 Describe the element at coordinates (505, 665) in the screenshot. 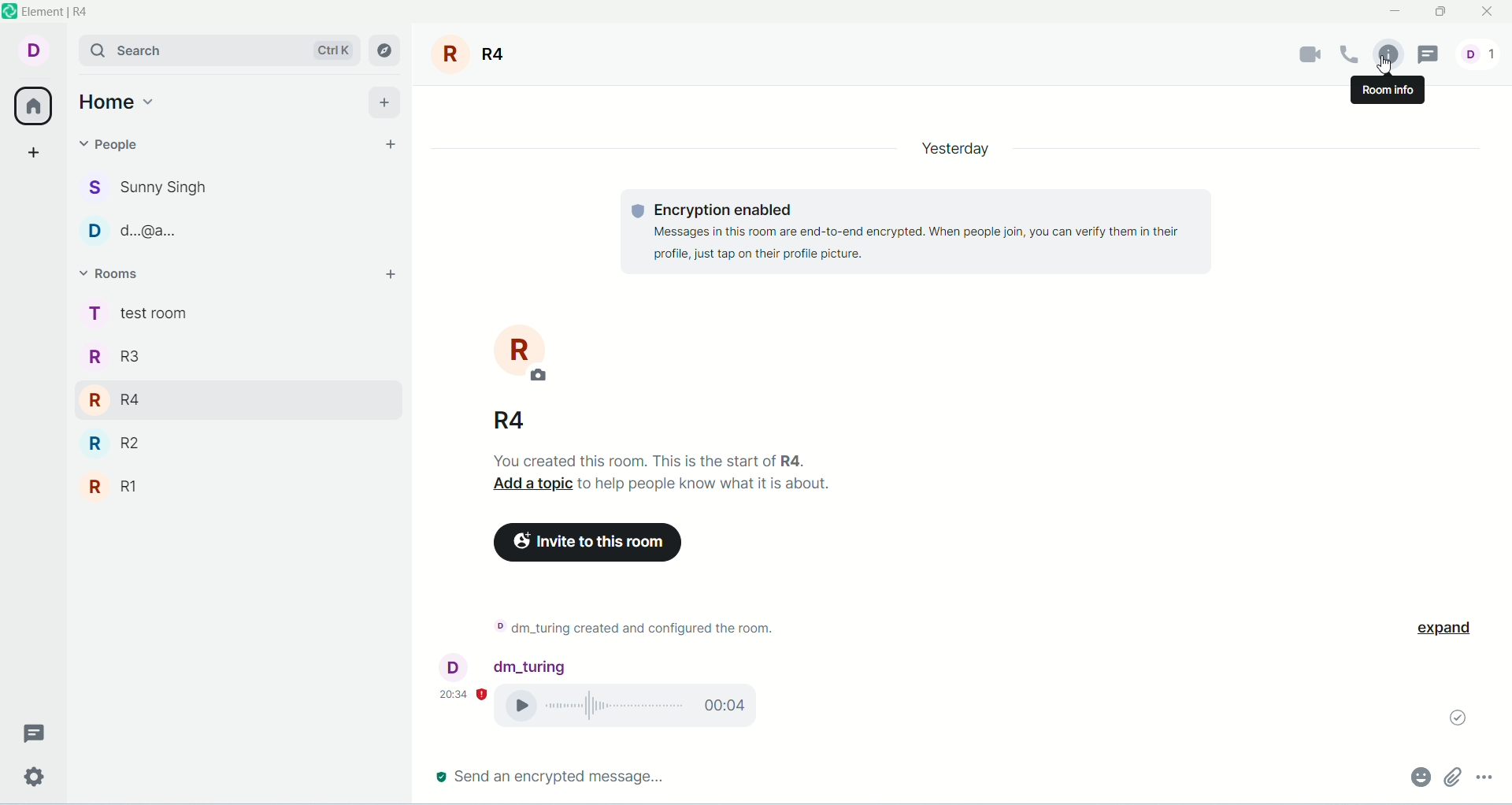

I see `account` at that location.